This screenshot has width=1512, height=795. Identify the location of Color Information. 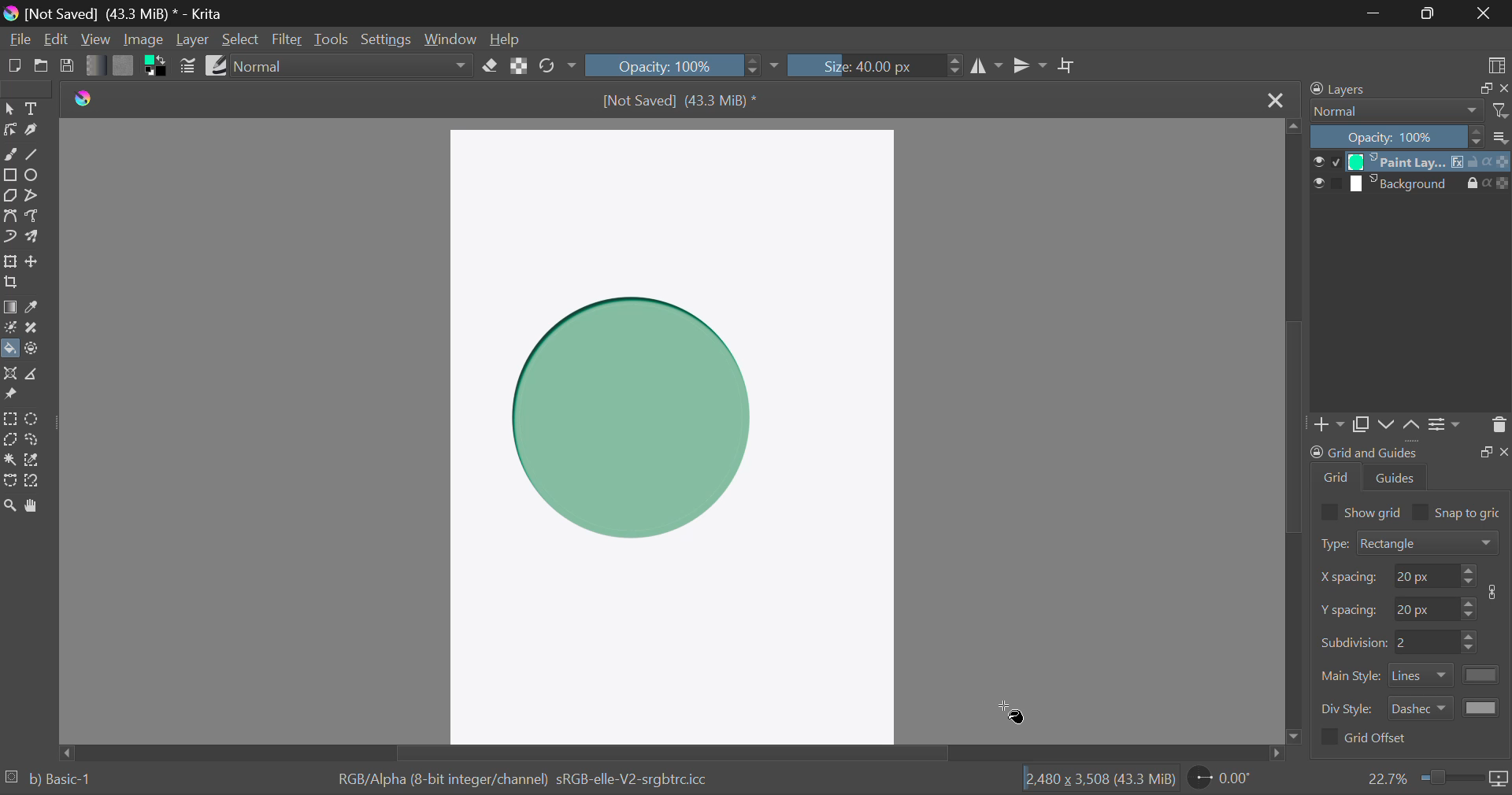
(517, 781).